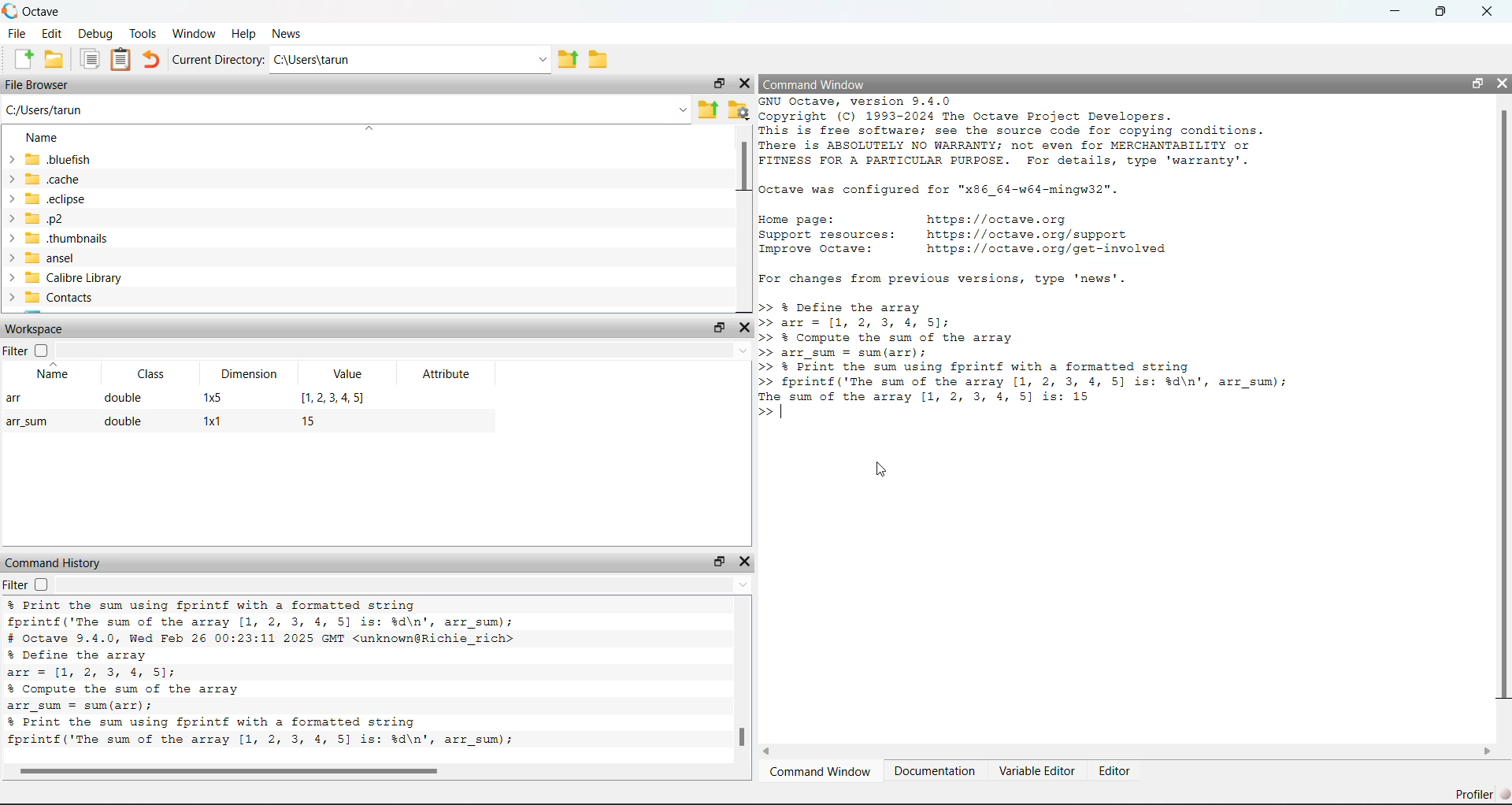 This screenshot has height=805, width=1512. Describe the element at coordinates (1486, 752) in the screenshot. I see `Scroll bar right` at that location.